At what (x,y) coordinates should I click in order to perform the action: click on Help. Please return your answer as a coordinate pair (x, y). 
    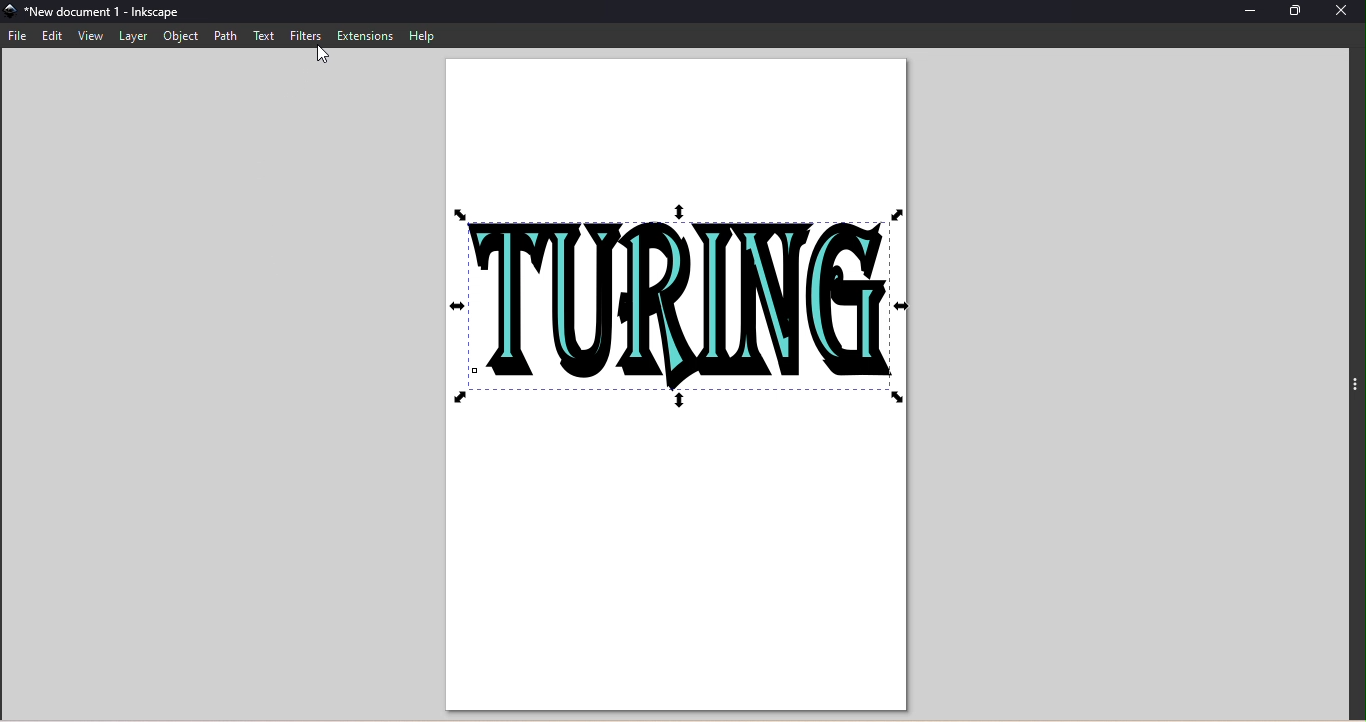
    Looking at the image, I should click on (422, 36).